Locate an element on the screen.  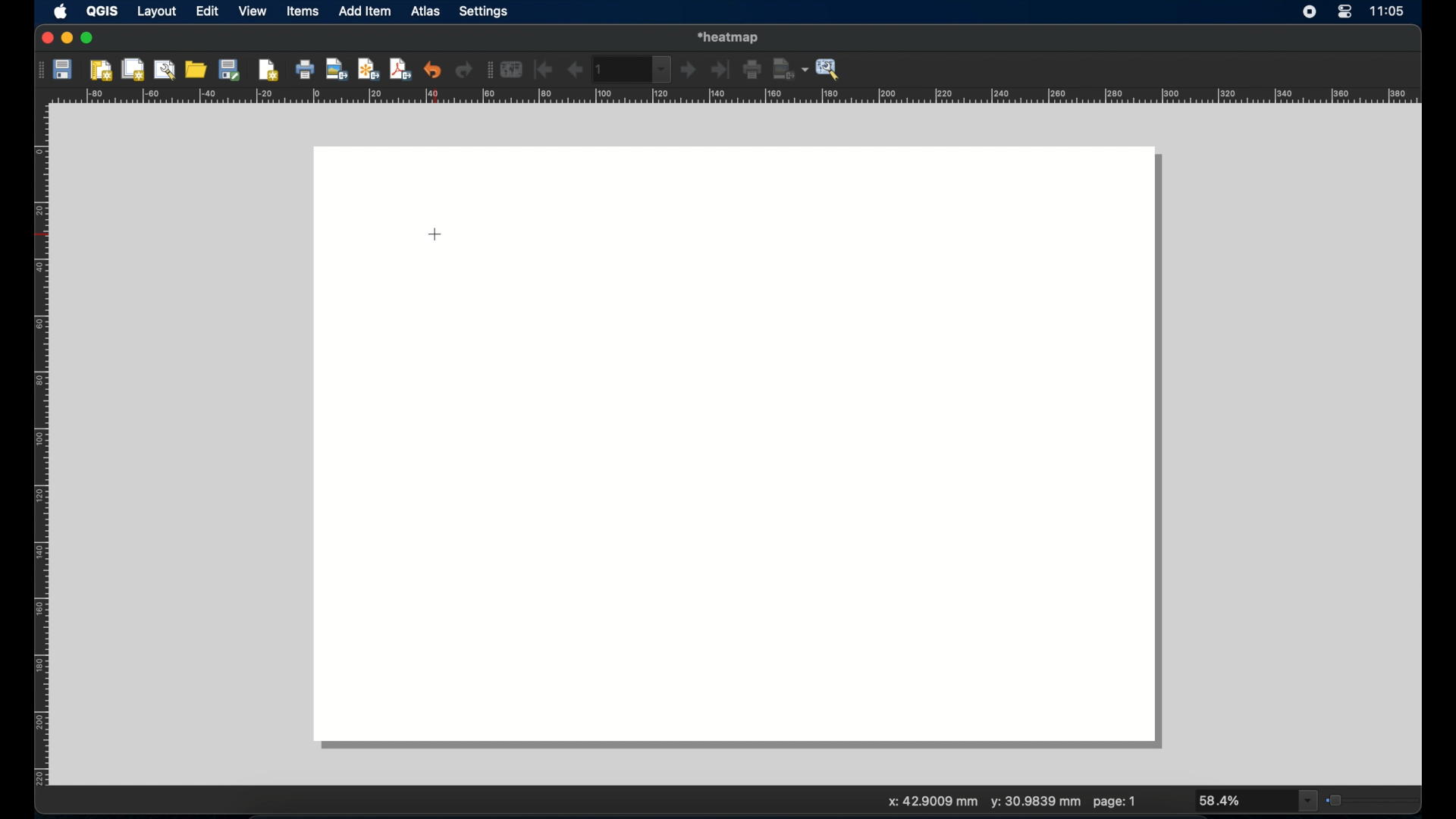
export as pdf is located at coordinates (400, 69).